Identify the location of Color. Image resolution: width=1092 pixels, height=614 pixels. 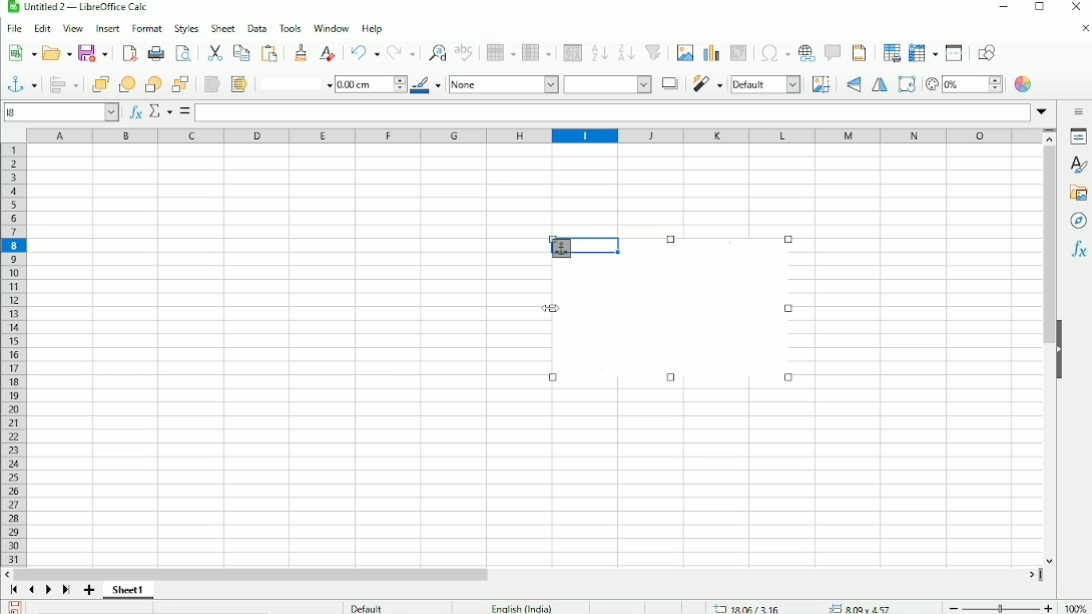
(1025, 84).